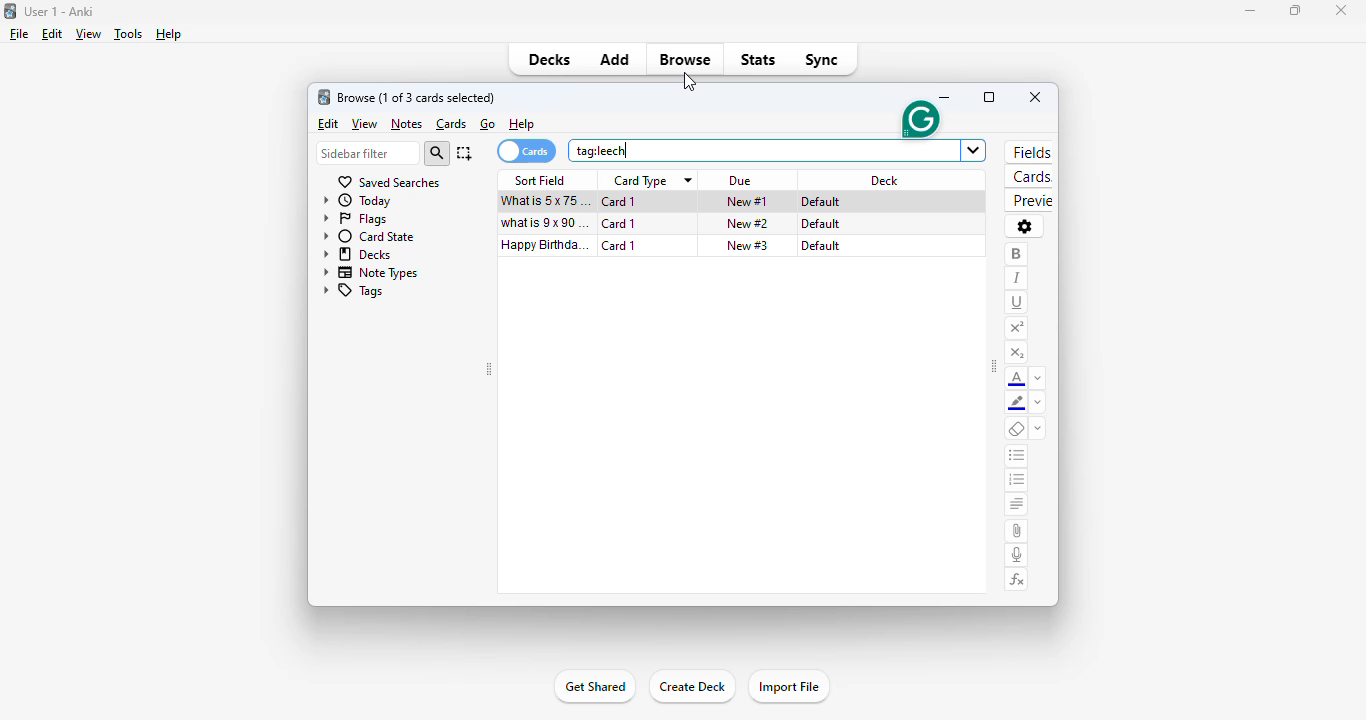 The height and width of the screenshot is (720, 1366). Describe the element at coordinates (1016, 532) in the screenshot. I see `attach pictures/audio/video` at that location.